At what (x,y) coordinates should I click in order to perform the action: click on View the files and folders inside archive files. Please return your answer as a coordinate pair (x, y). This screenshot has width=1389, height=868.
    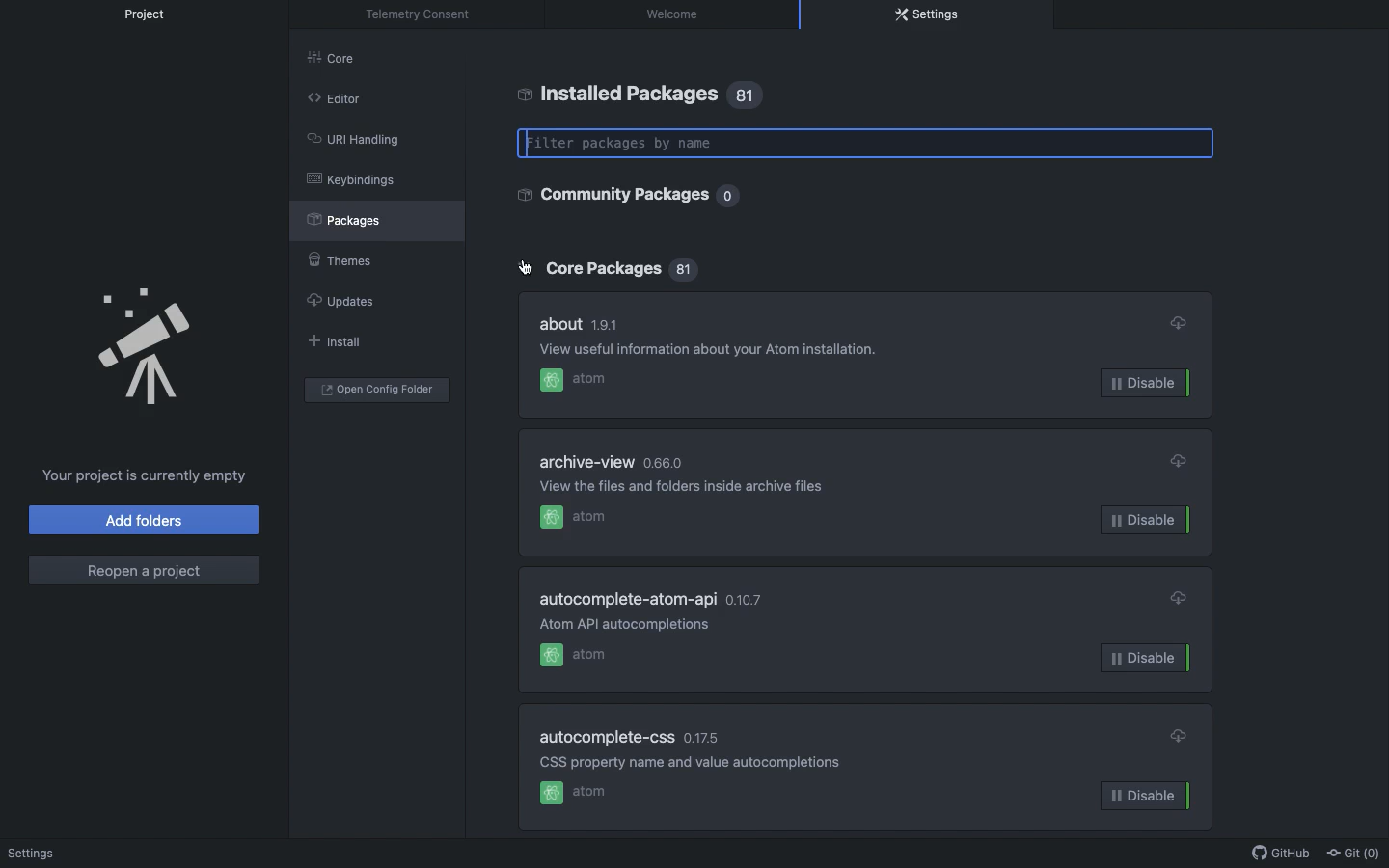
    Looking at the image, I should click on (684, 486).